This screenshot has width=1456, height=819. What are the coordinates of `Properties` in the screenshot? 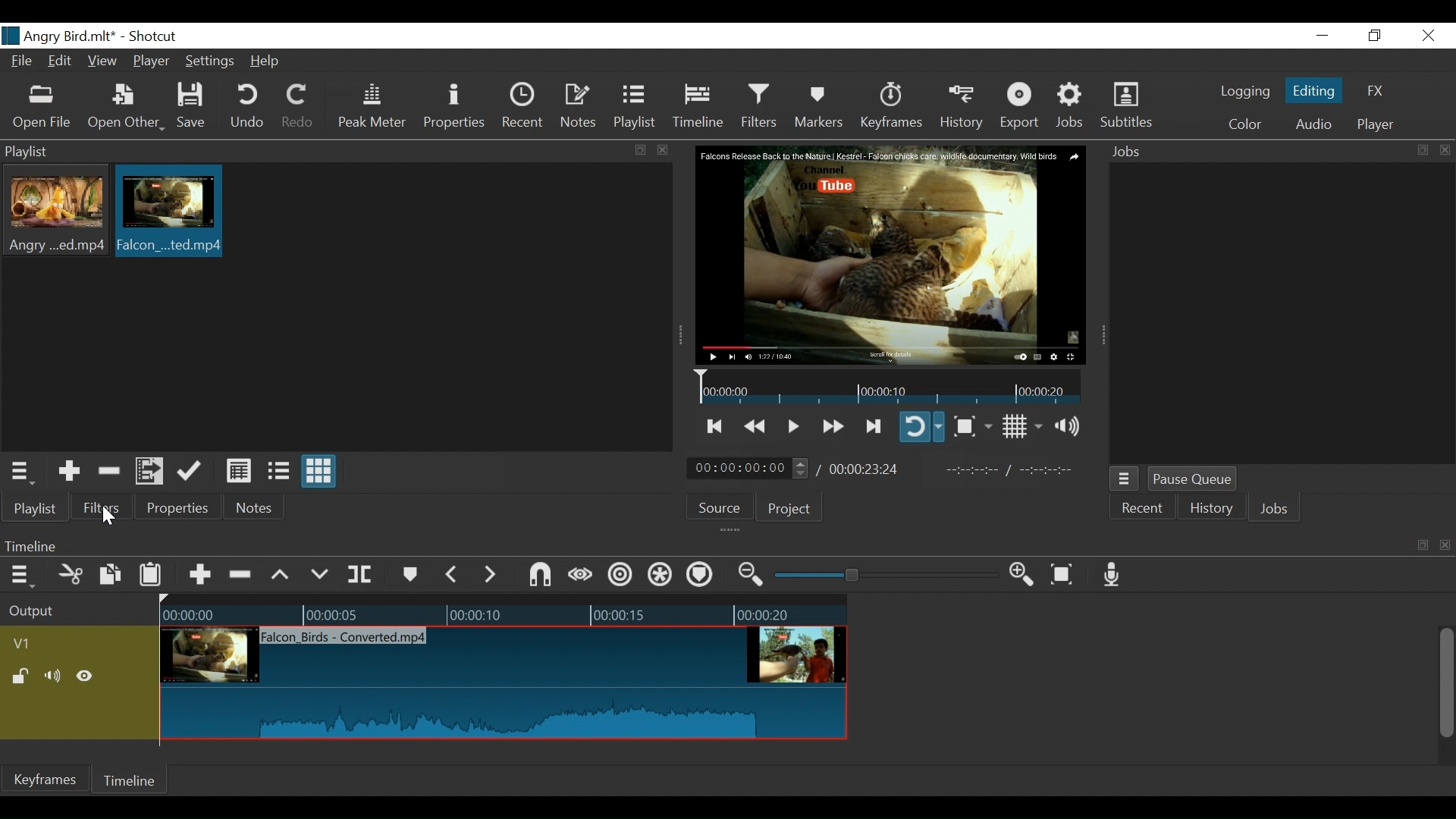 It's located at (457, 106).